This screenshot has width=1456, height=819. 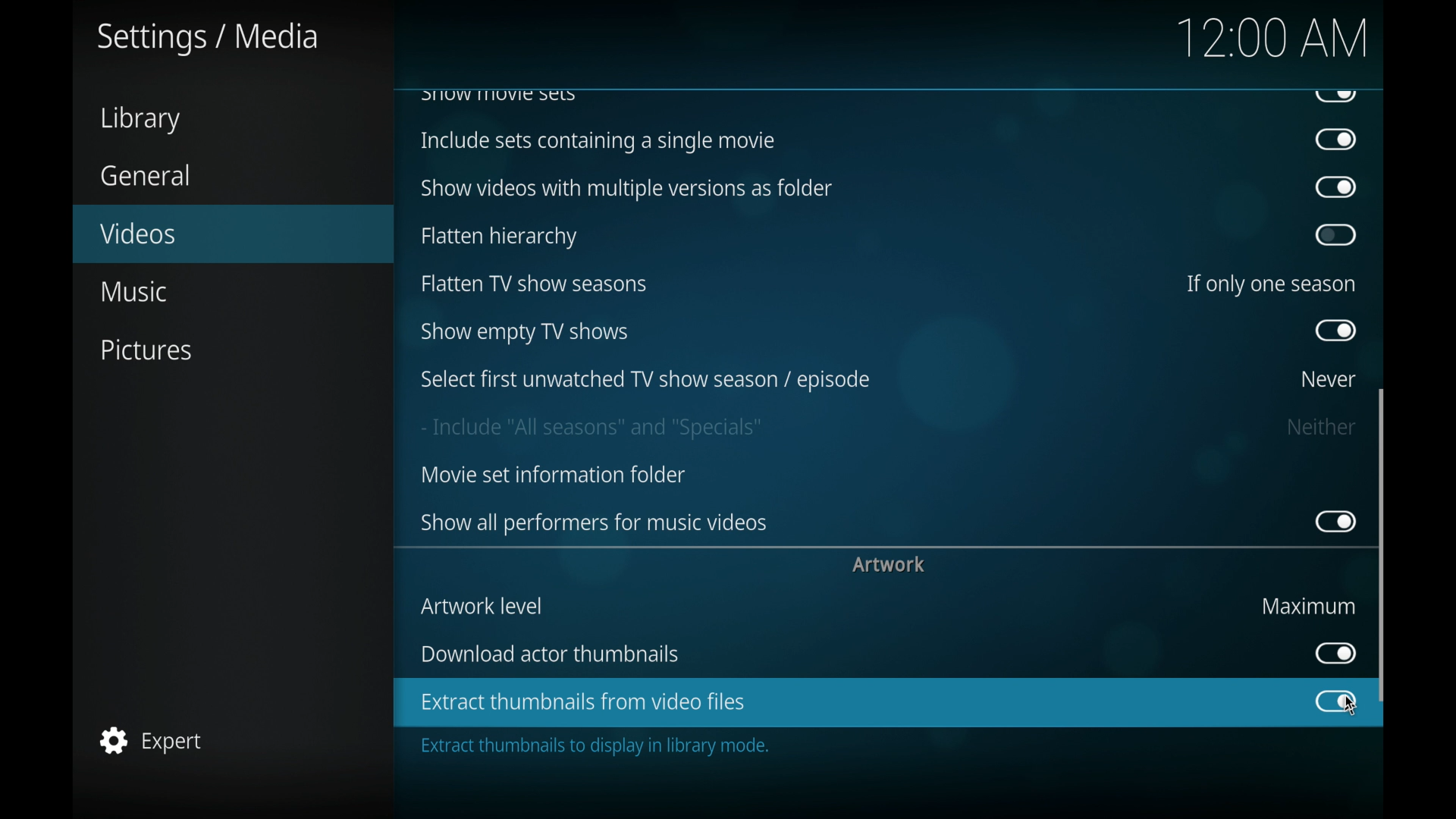 I want to click on movies information folder, so click(x=551, y=475).